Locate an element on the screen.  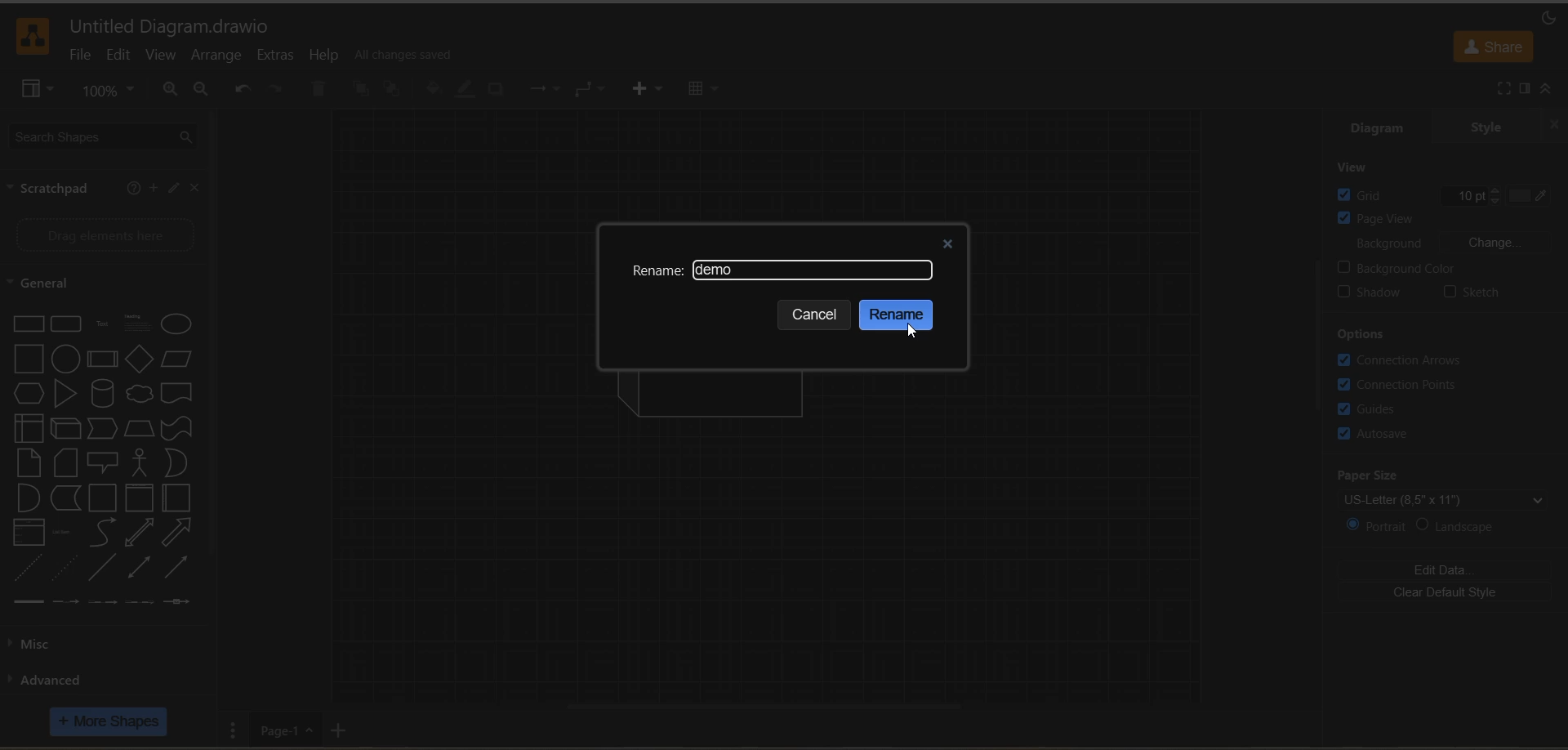
sketch is located at coordinates (1470, 292).